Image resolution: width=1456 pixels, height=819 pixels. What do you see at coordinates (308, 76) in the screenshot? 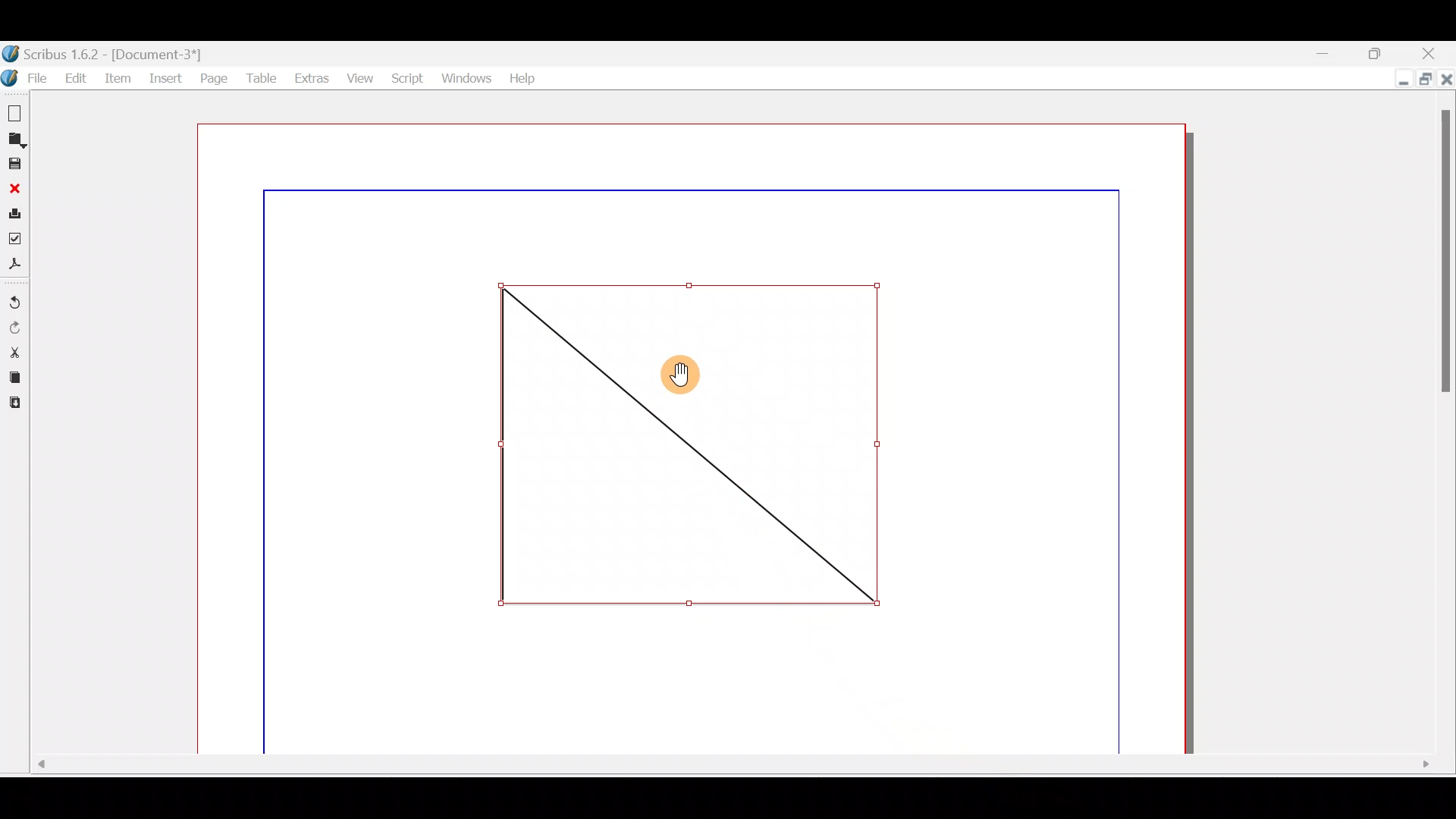
I see `Extras` at bounding box center [308, 76].